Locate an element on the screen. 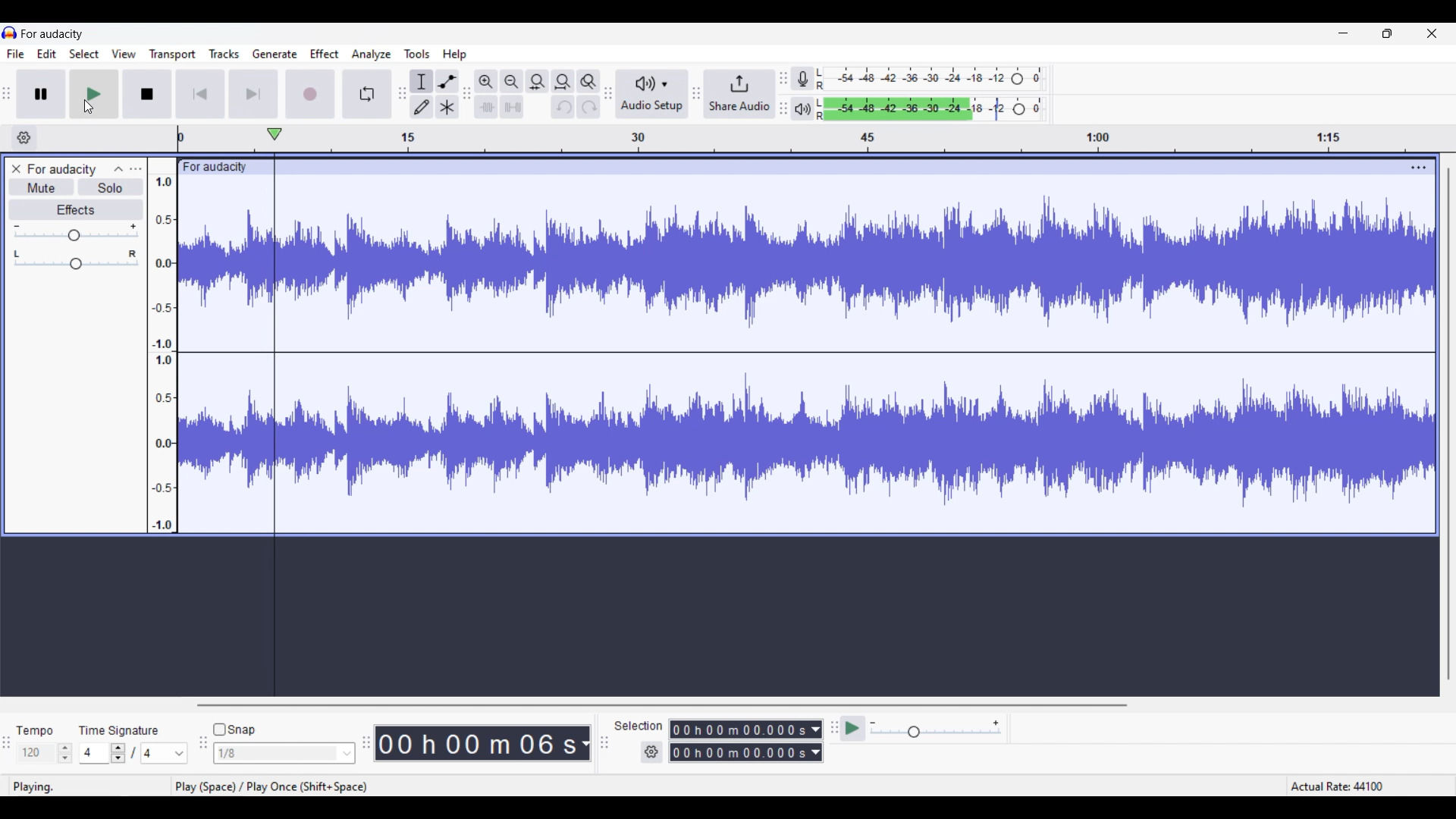  Show in smaller tab is located at coordinates (1387, 33).